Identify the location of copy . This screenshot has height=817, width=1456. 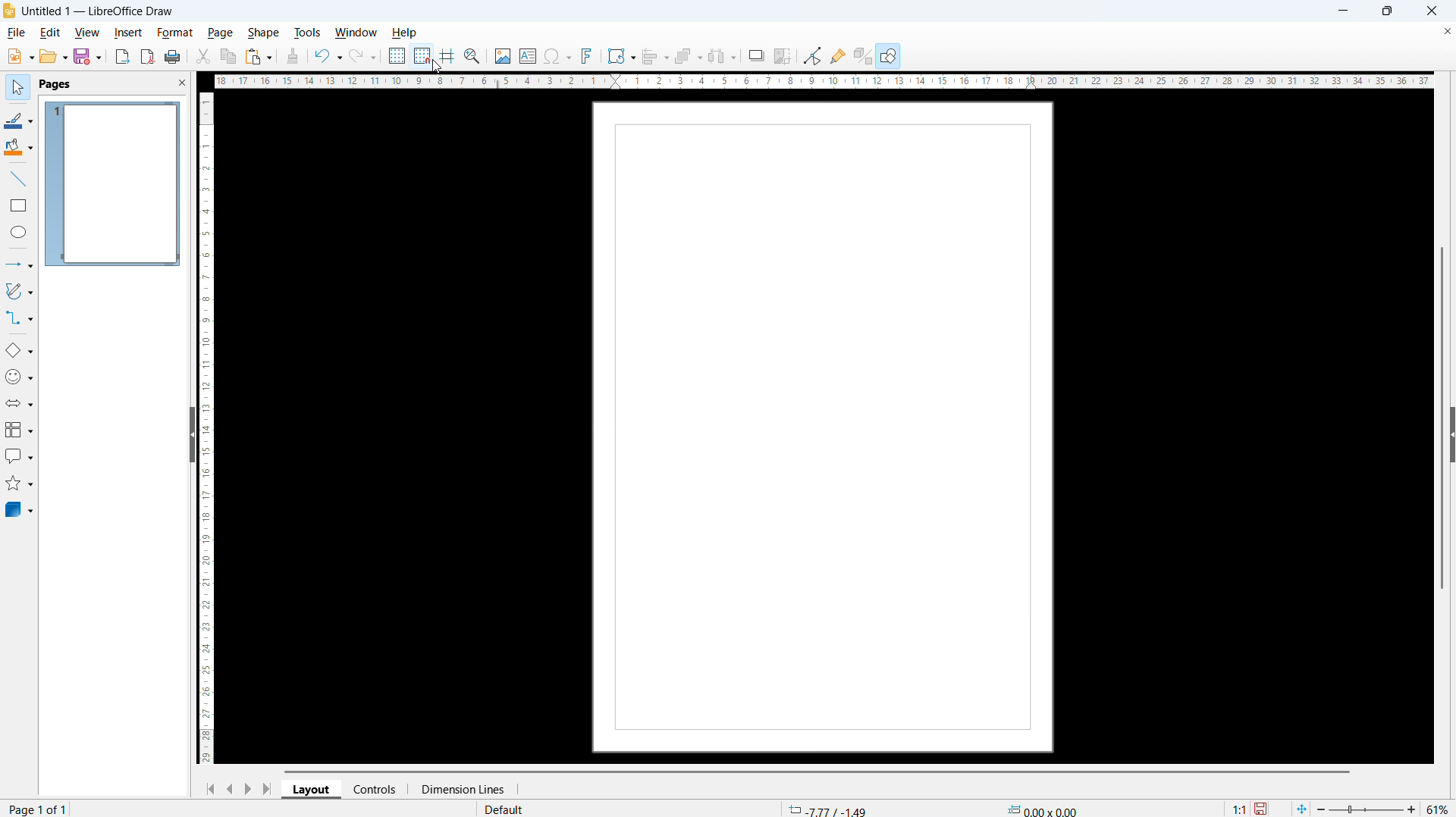
(228, 57).